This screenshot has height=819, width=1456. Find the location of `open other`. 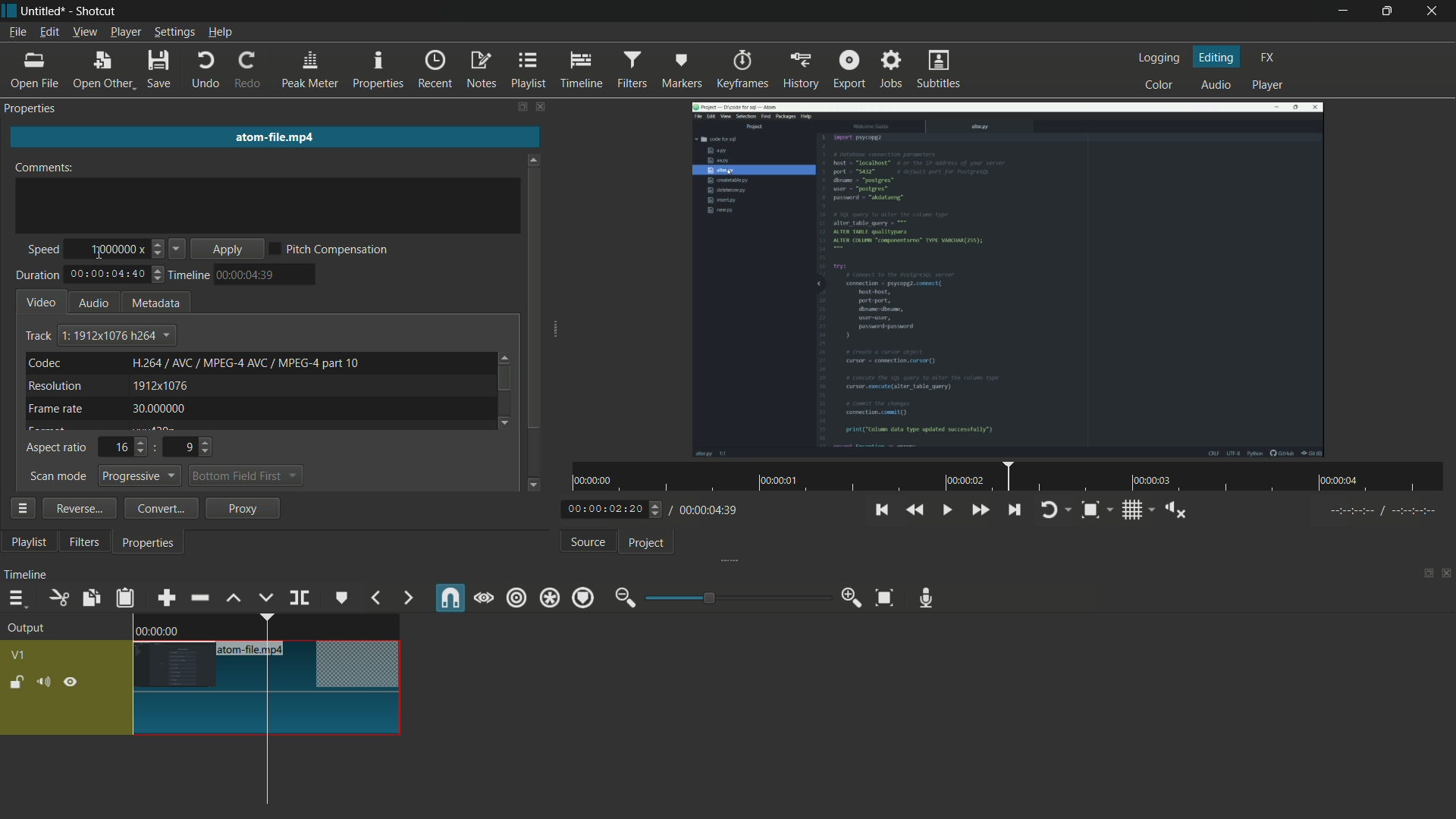

open other is located at coordinates (102, 71).